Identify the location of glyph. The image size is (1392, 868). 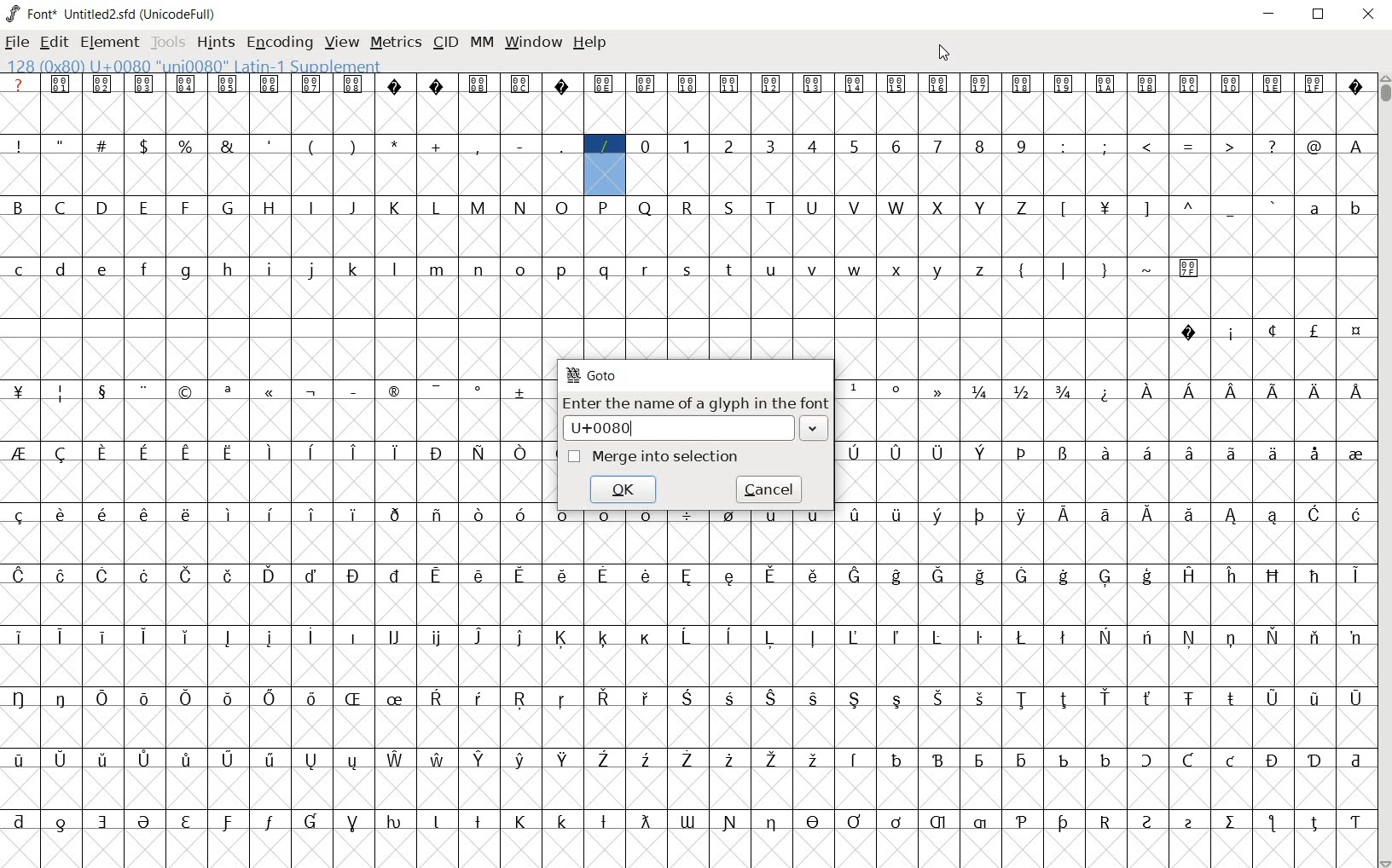
(897, 701).